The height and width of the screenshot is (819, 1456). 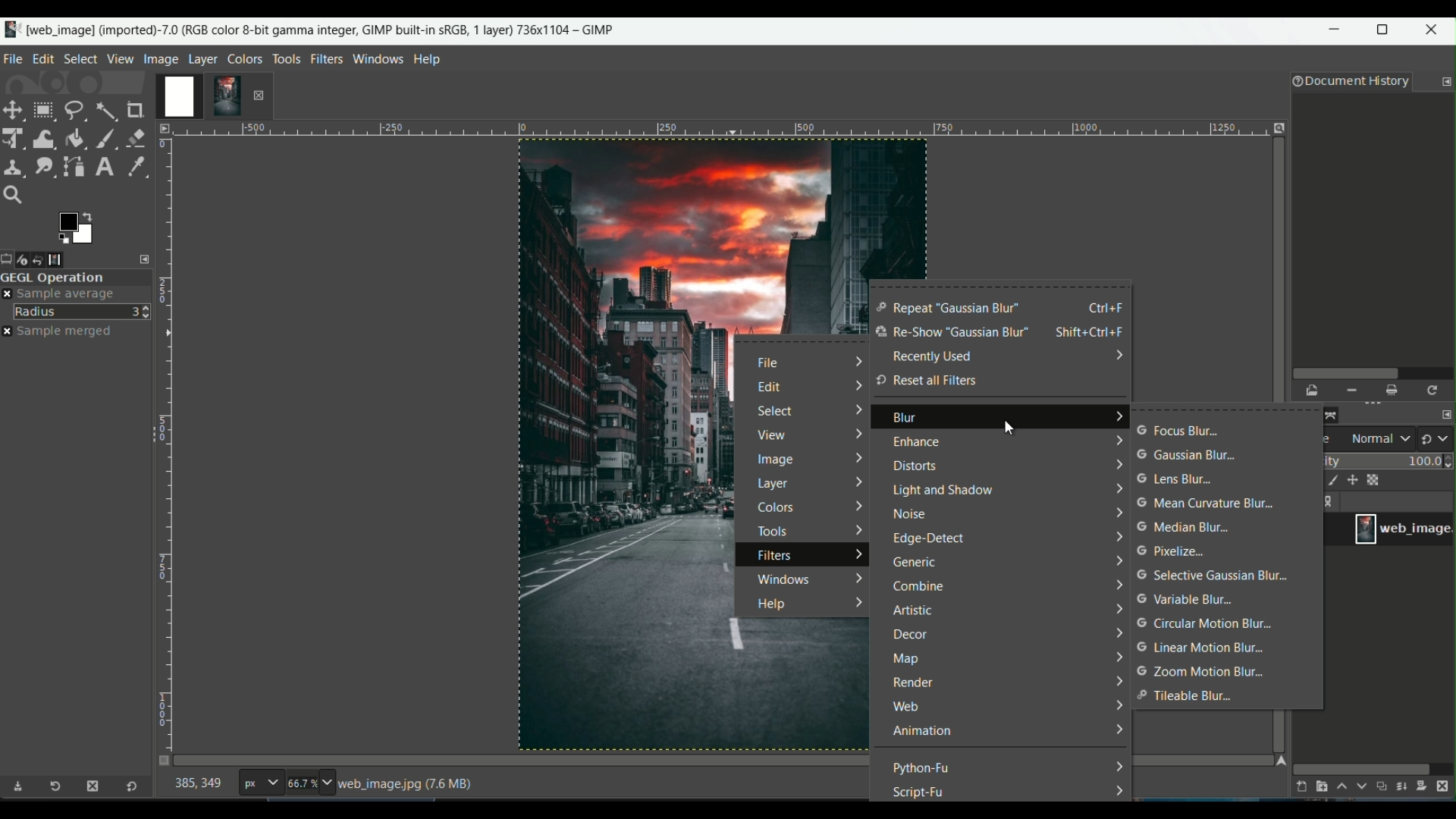 What do you see at coordinates (1185, 529) in the screenshot?
I see `median blur` at bounding box center [1185, 529].